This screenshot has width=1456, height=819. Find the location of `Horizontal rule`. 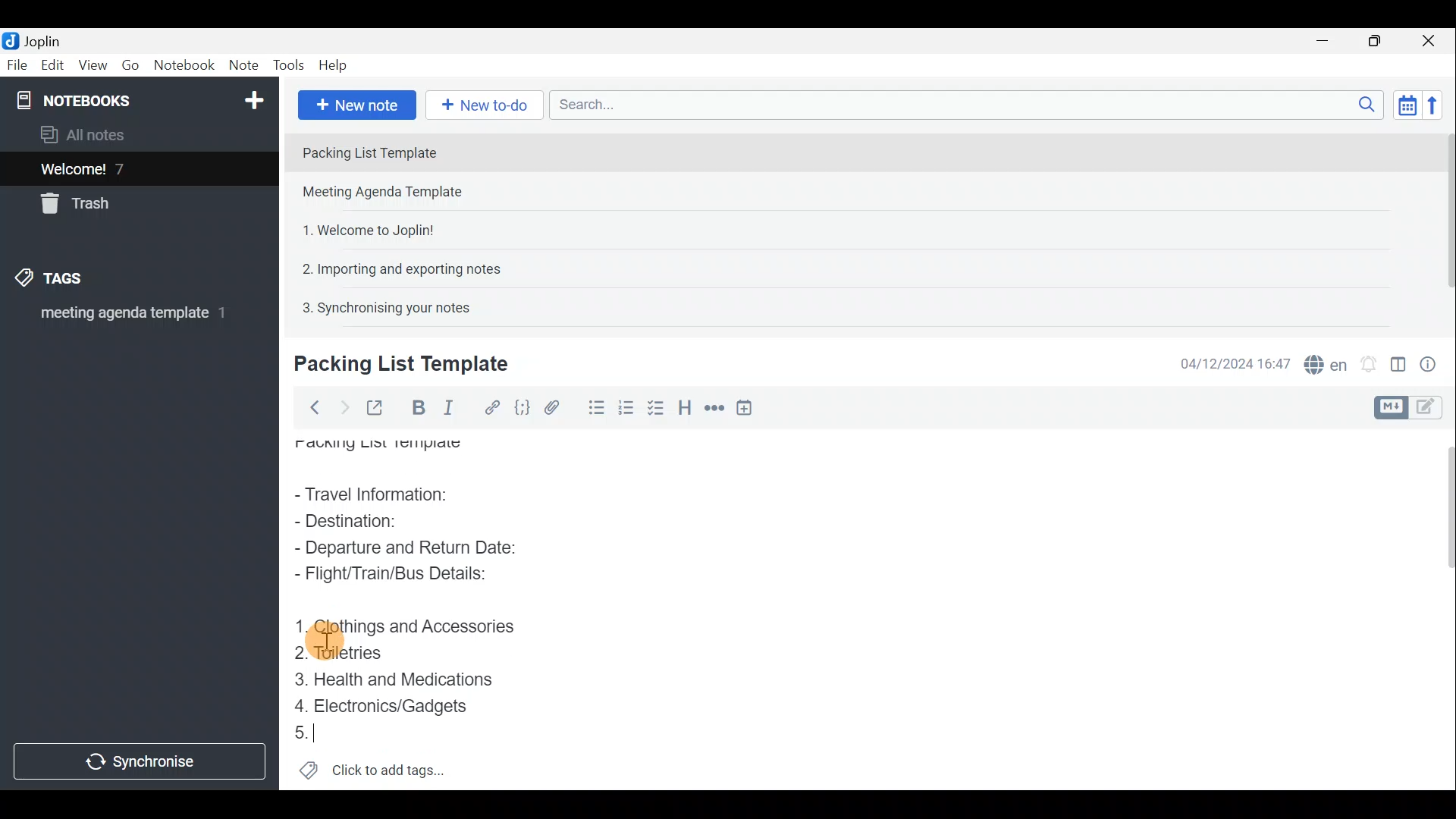

Horizontal rule is located at coordinates (712, 408).